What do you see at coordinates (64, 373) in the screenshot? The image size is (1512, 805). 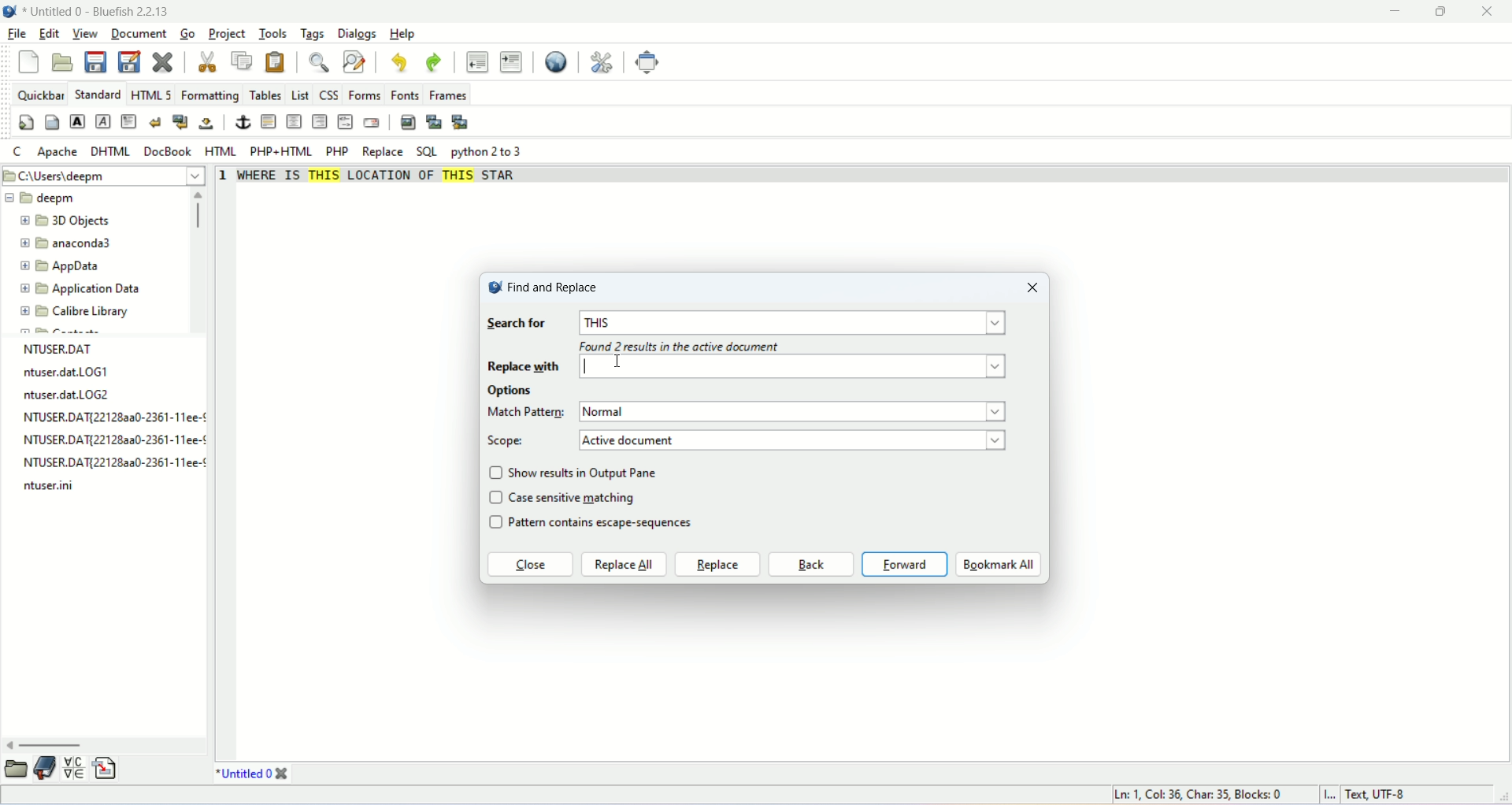 I see `ntuser.data LOG1` at bounding box center [64, 373].